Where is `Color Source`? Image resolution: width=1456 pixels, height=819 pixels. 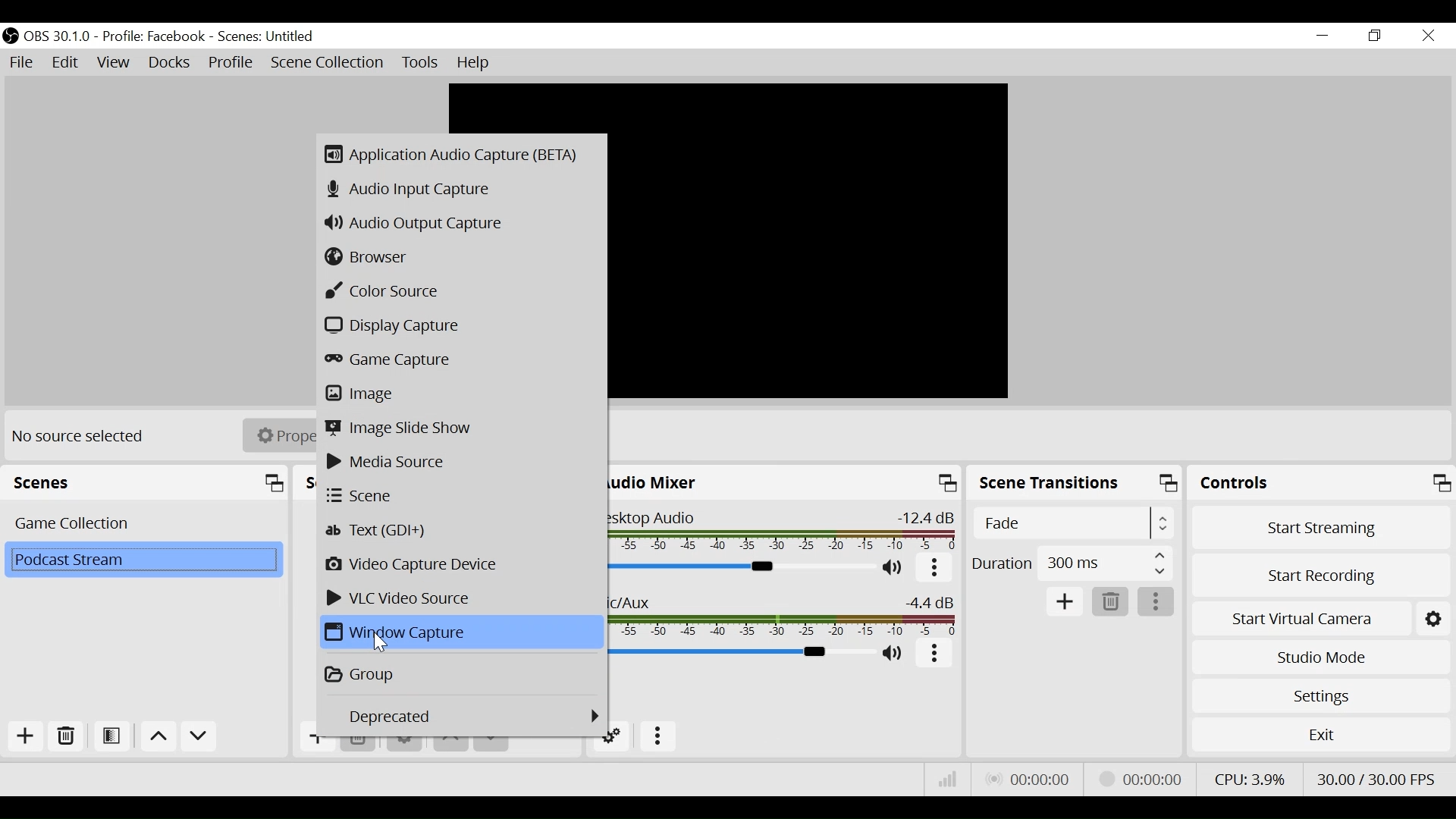
Color Source is located at coordinates (458, 291).